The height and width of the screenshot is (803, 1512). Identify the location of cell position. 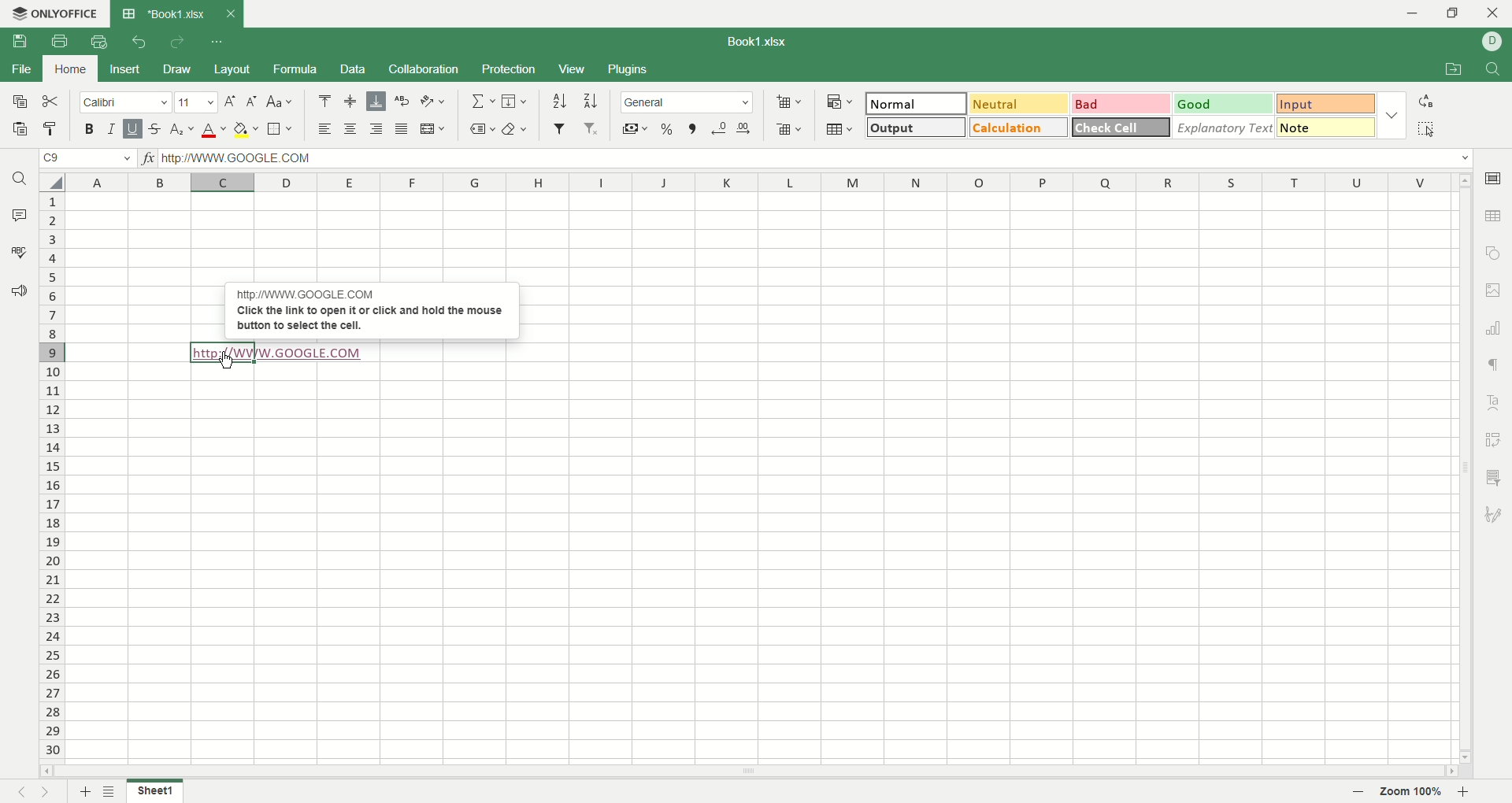
(91, 160).